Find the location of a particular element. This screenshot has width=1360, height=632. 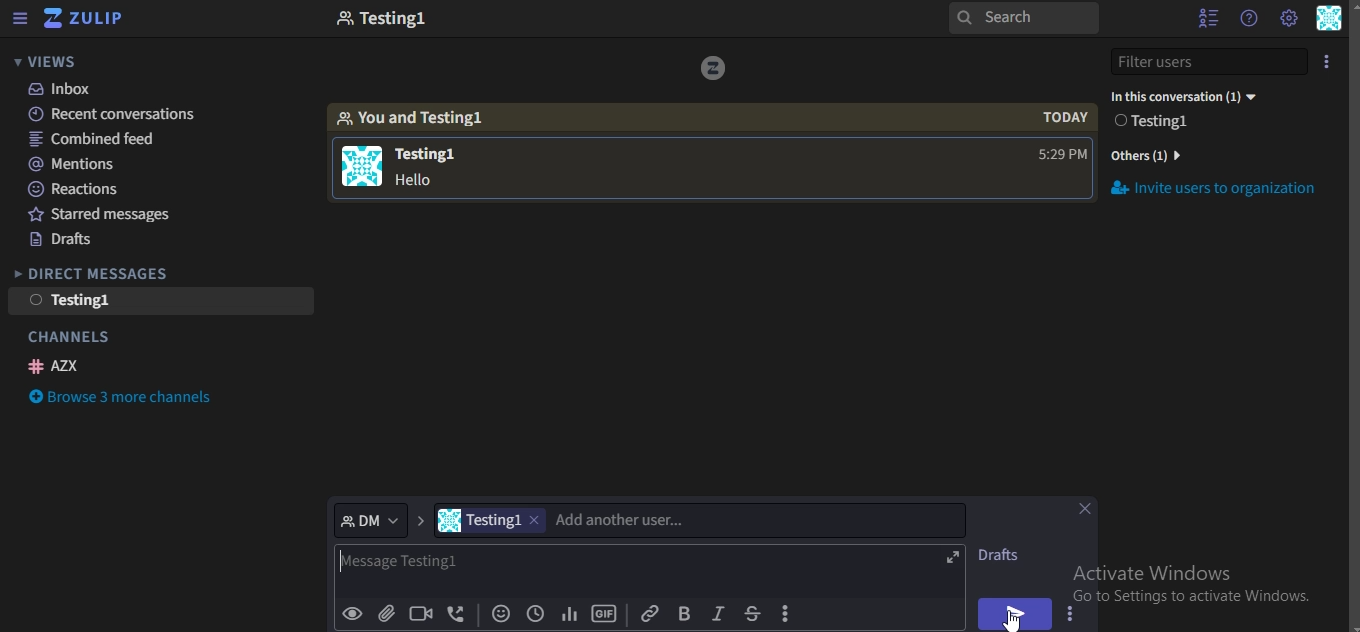

send  is located at coordinates (1012, 613).